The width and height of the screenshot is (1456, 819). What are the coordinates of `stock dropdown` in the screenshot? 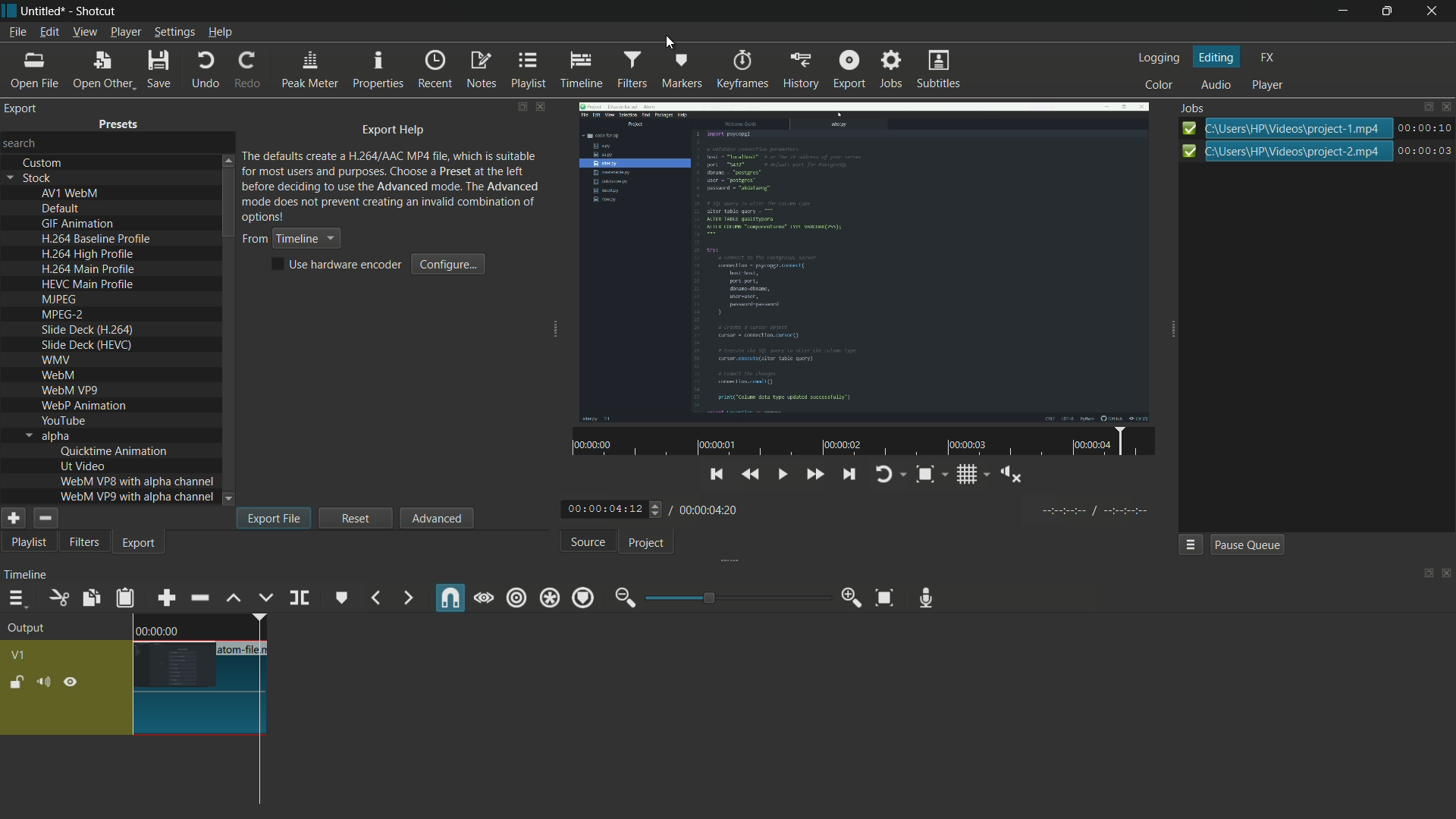 It's located at (33, 178).